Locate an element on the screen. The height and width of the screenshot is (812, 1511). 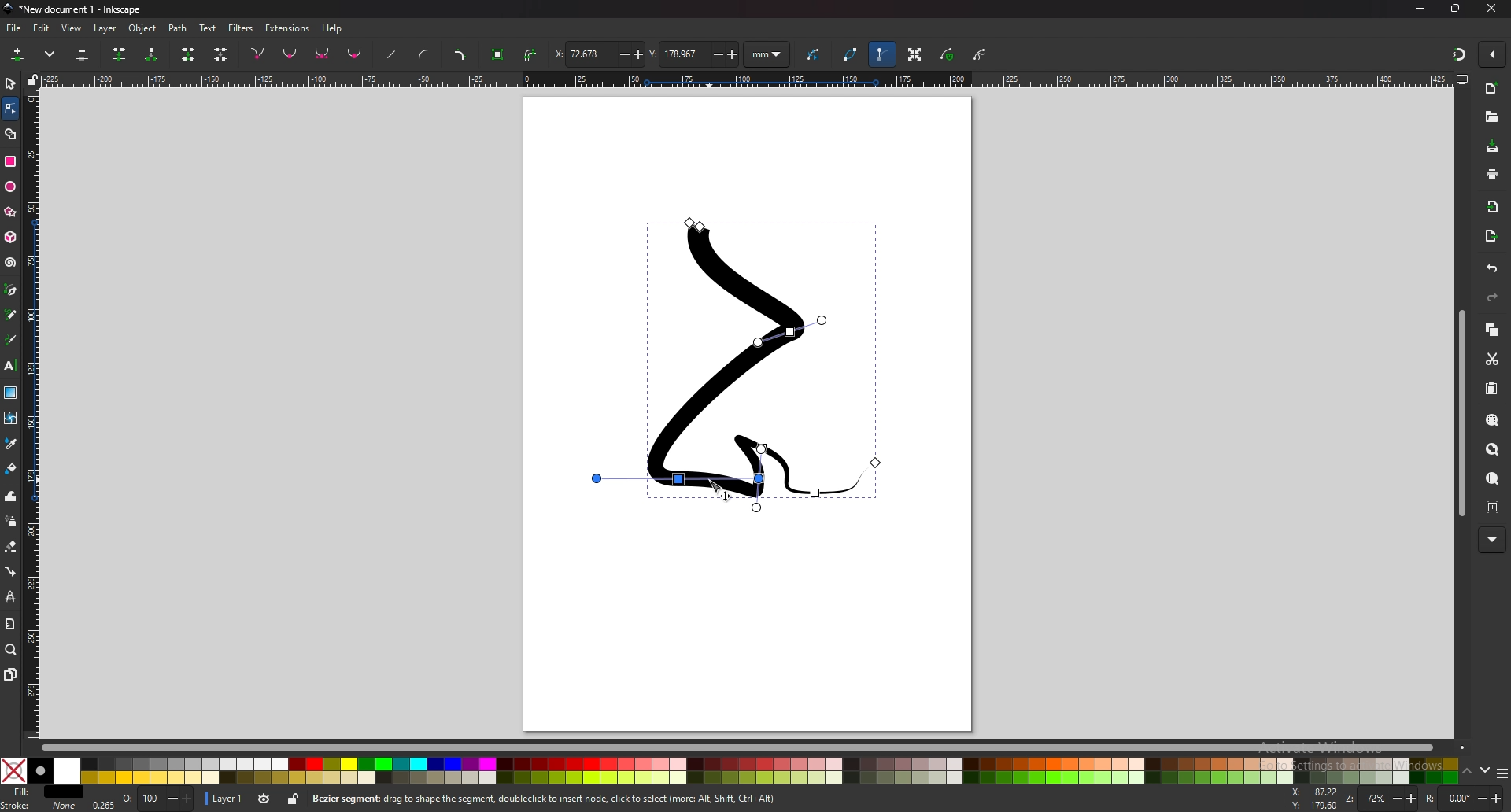
zoom is located at coordinates (1381, 799).